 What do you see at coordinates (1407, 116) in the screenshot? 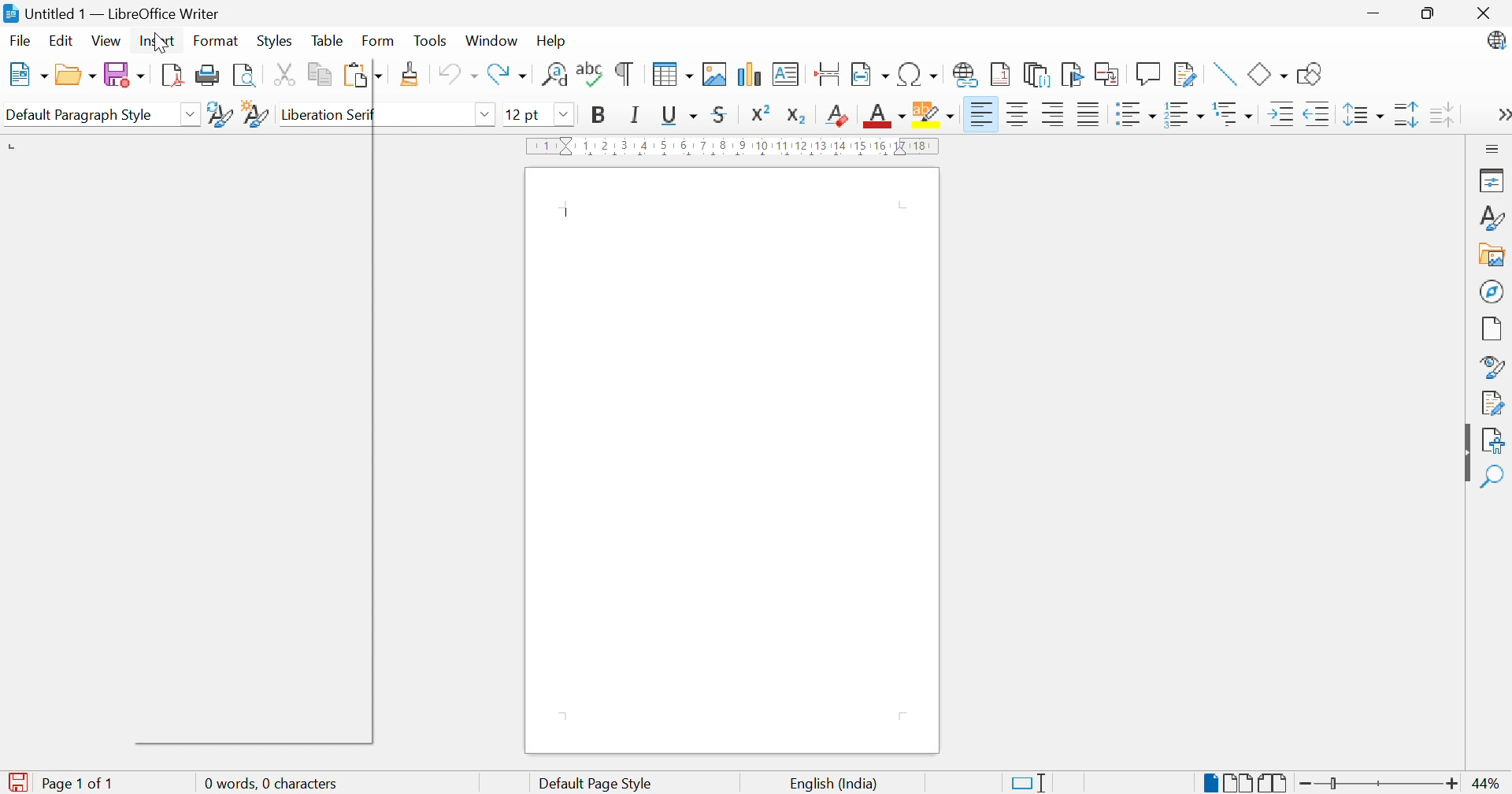
I see `Increase paragraph spacing` at bounding box center [1407, 116].